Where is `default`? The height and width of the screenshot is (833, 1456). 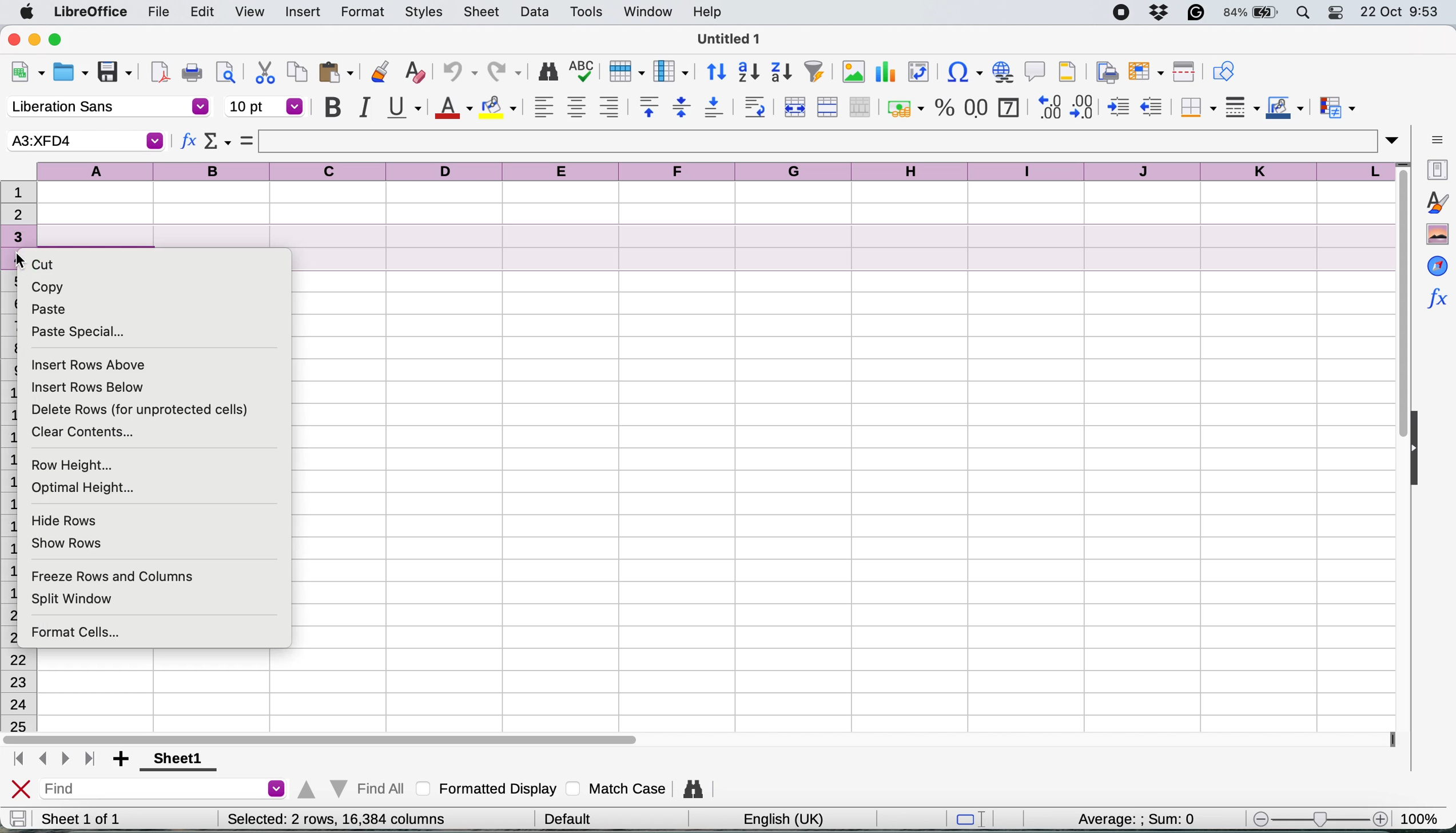
default is located at coordinates (572, 817).